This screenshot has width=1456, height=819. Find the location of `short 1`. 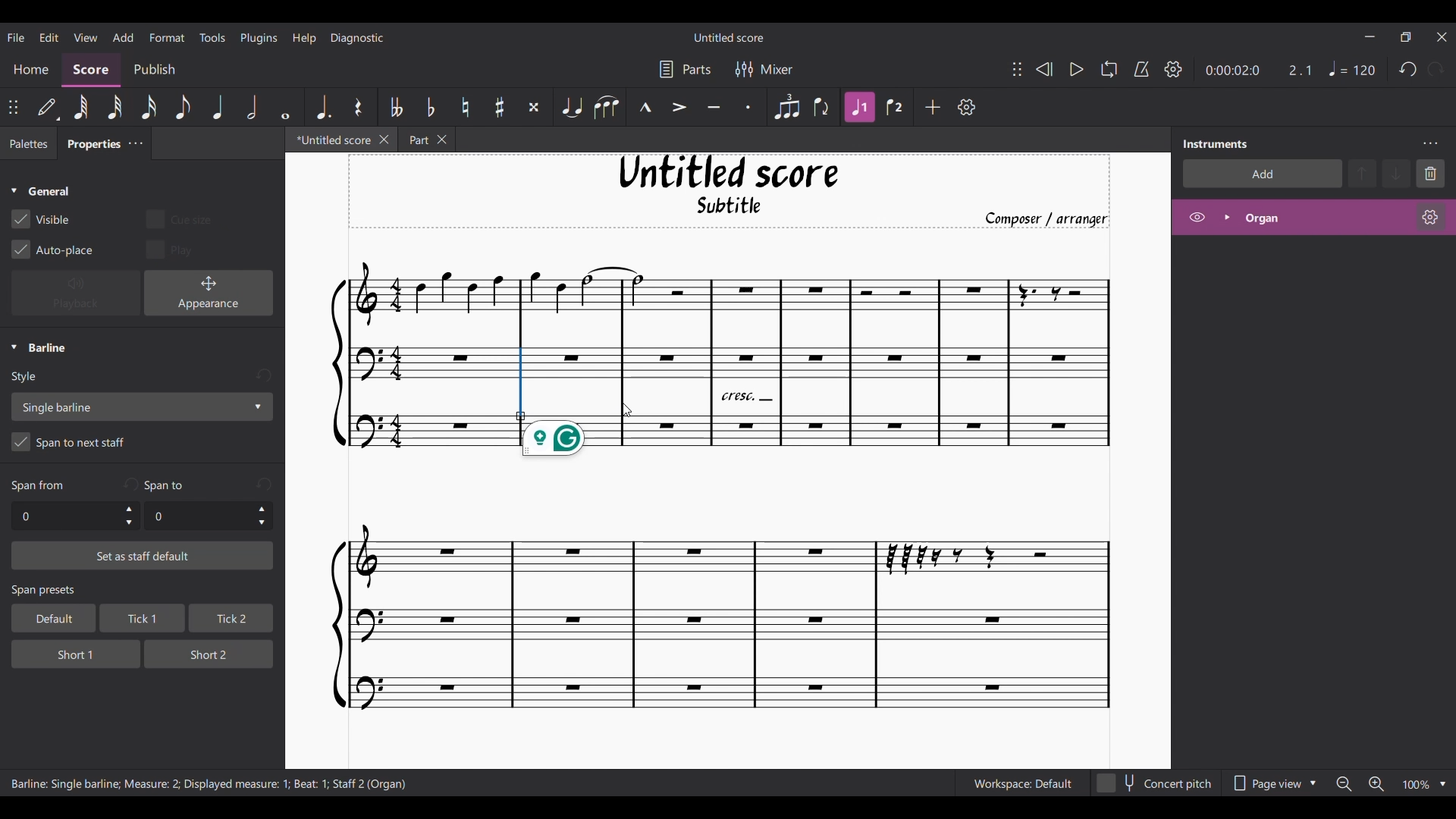

short 1 is located at coordinates (64, 652).